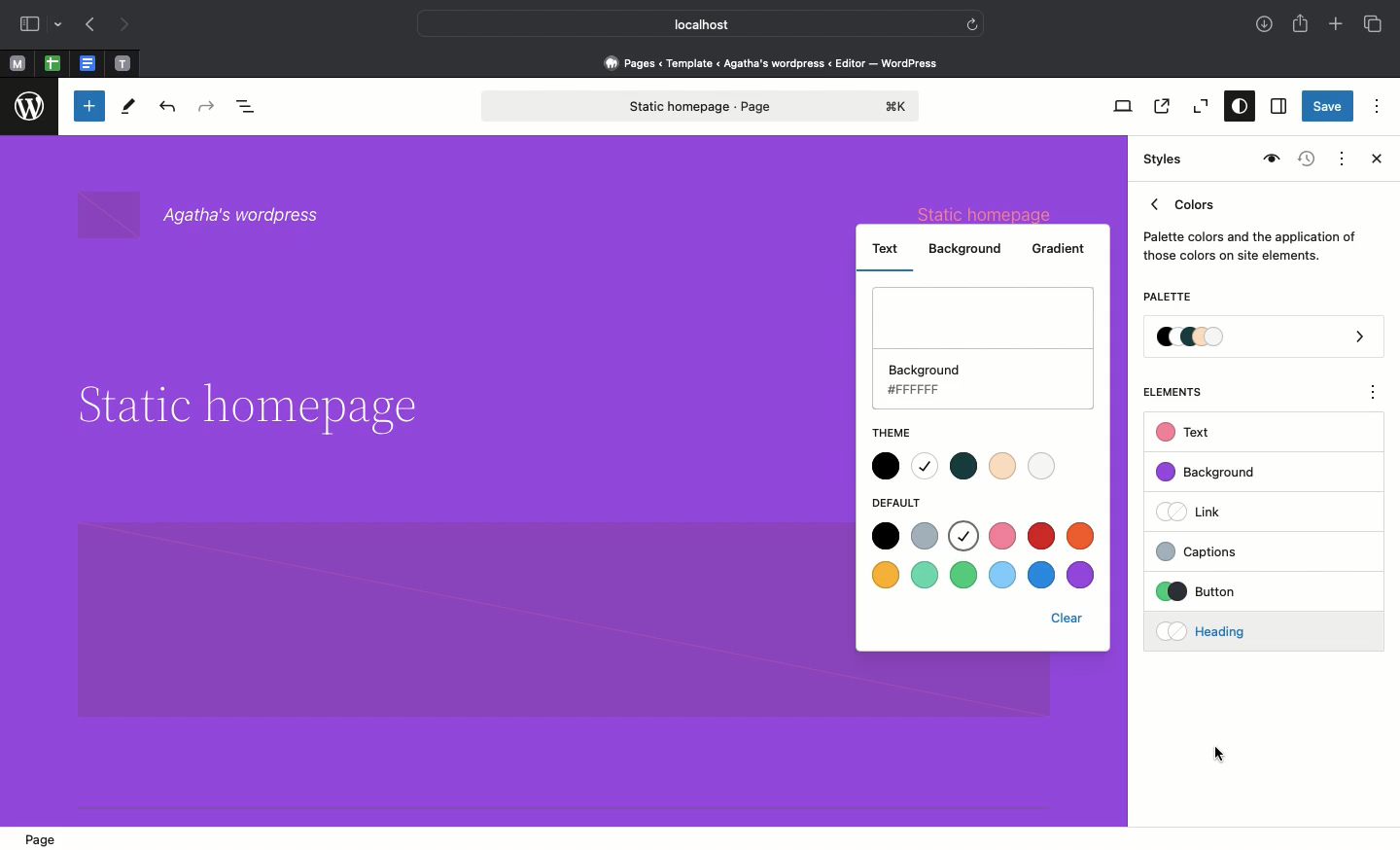 This screenshot has height=850, width=1400. What do you see at coordinates (1373, 160) in the screenshot?
I see `Close` at bounding box center [1373, 160].